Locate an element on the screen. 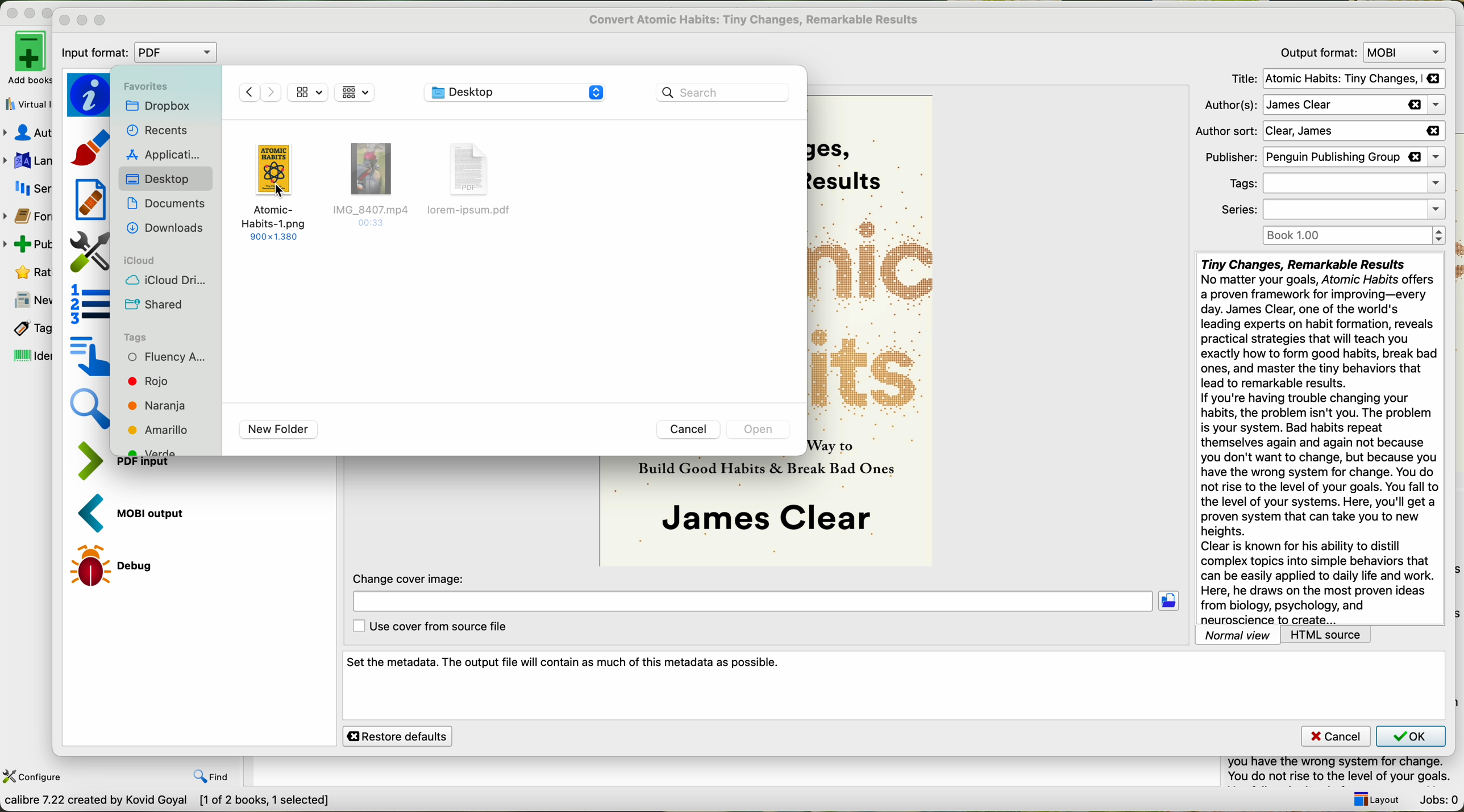  identifiers is located at coordinates (31, 355).